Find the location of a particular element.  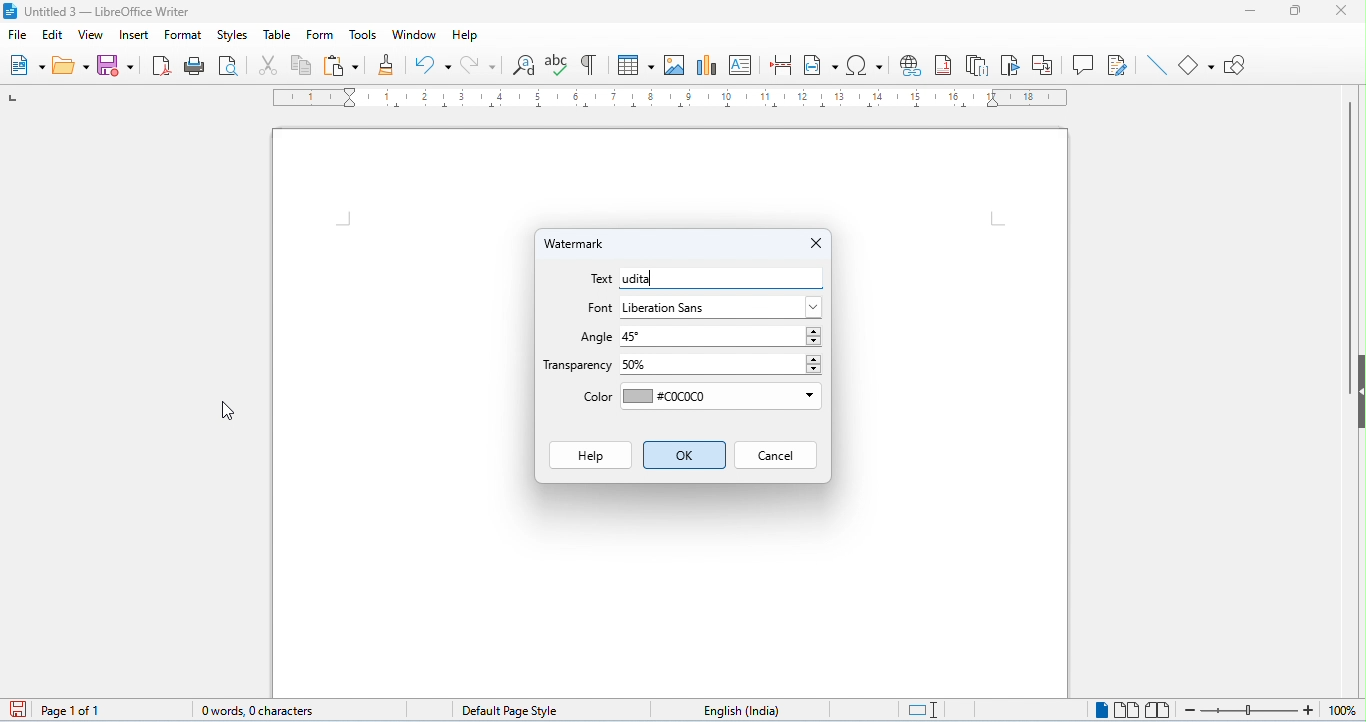

save is located at coordinates (16, 709).